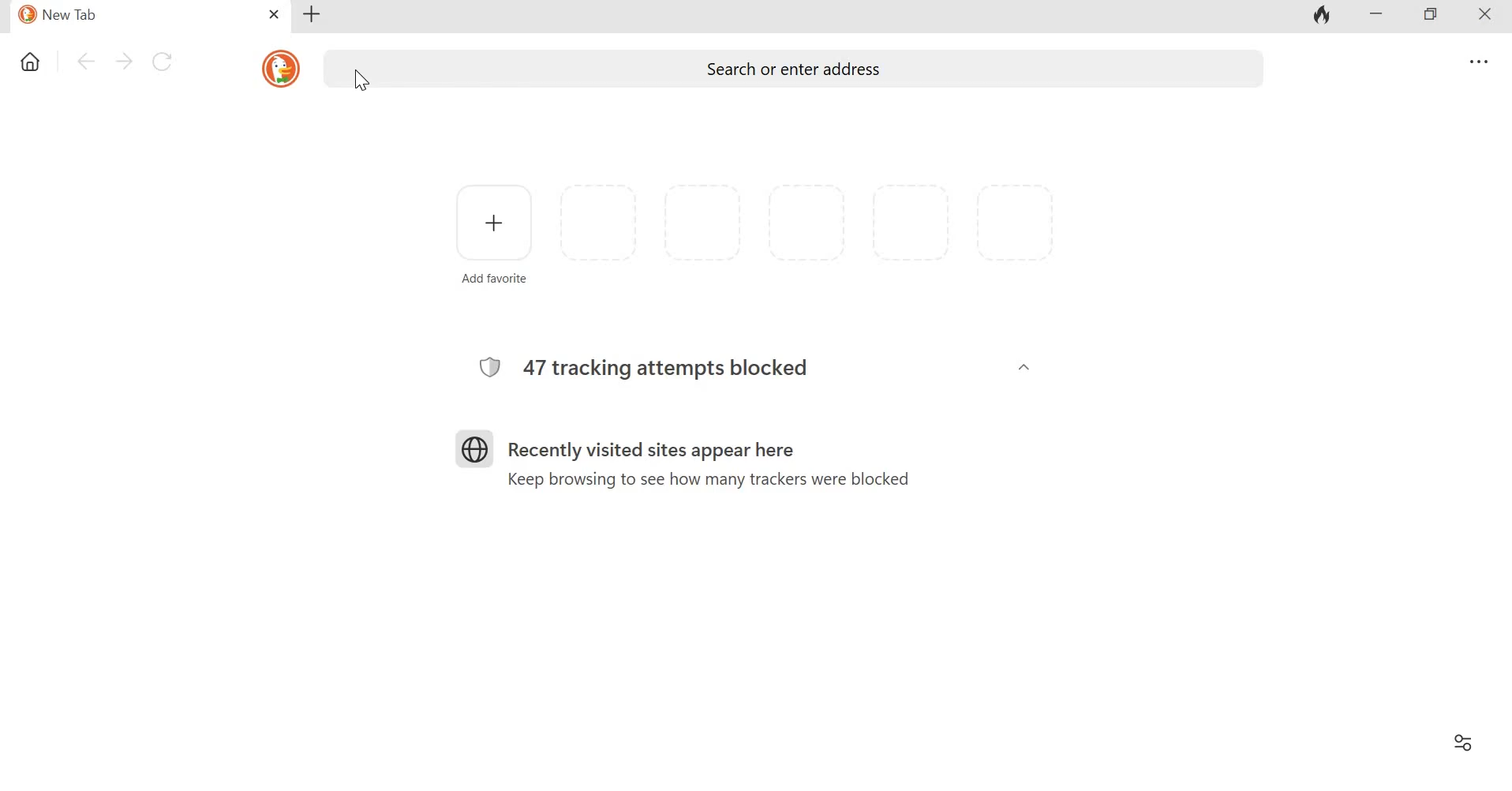  What do you see at coordinates (1466, 742) in the screenshot?
I see `Filter settings` at bounding box center [1466, 742].